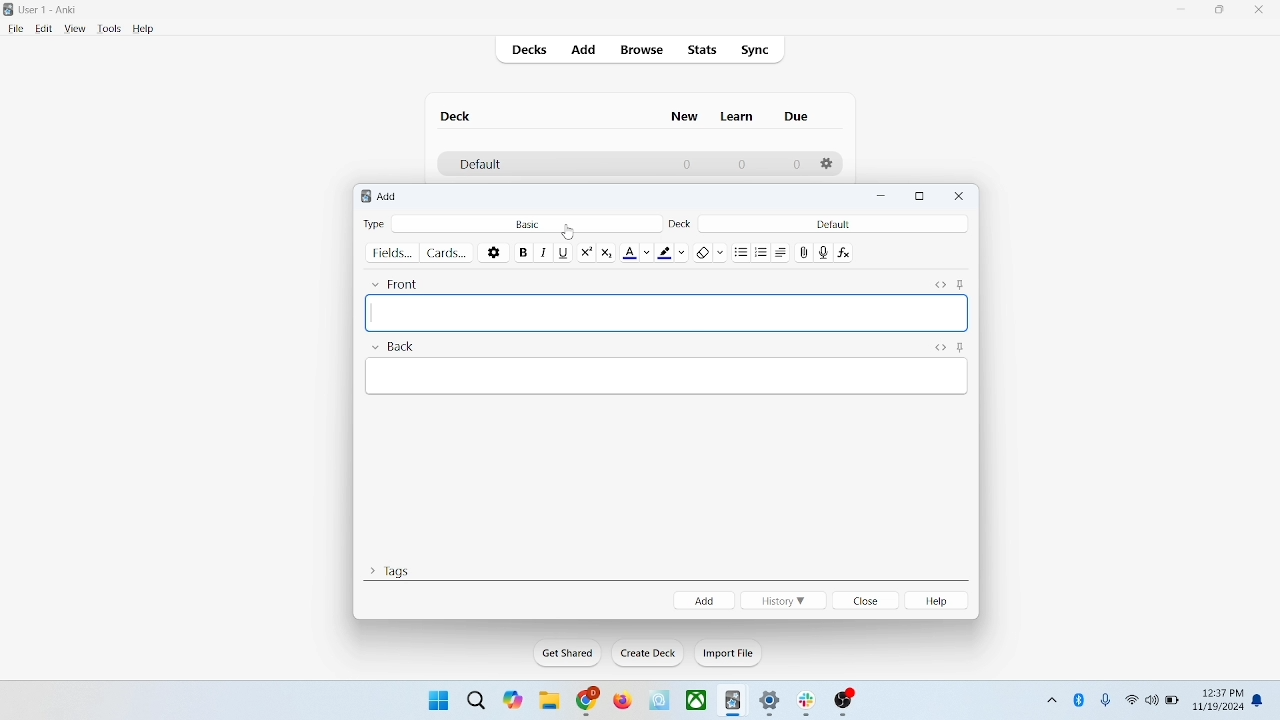  What do you see at coordinates (45, 28) in the screenshot?
I see `edit` at bounding box center [45, 28].